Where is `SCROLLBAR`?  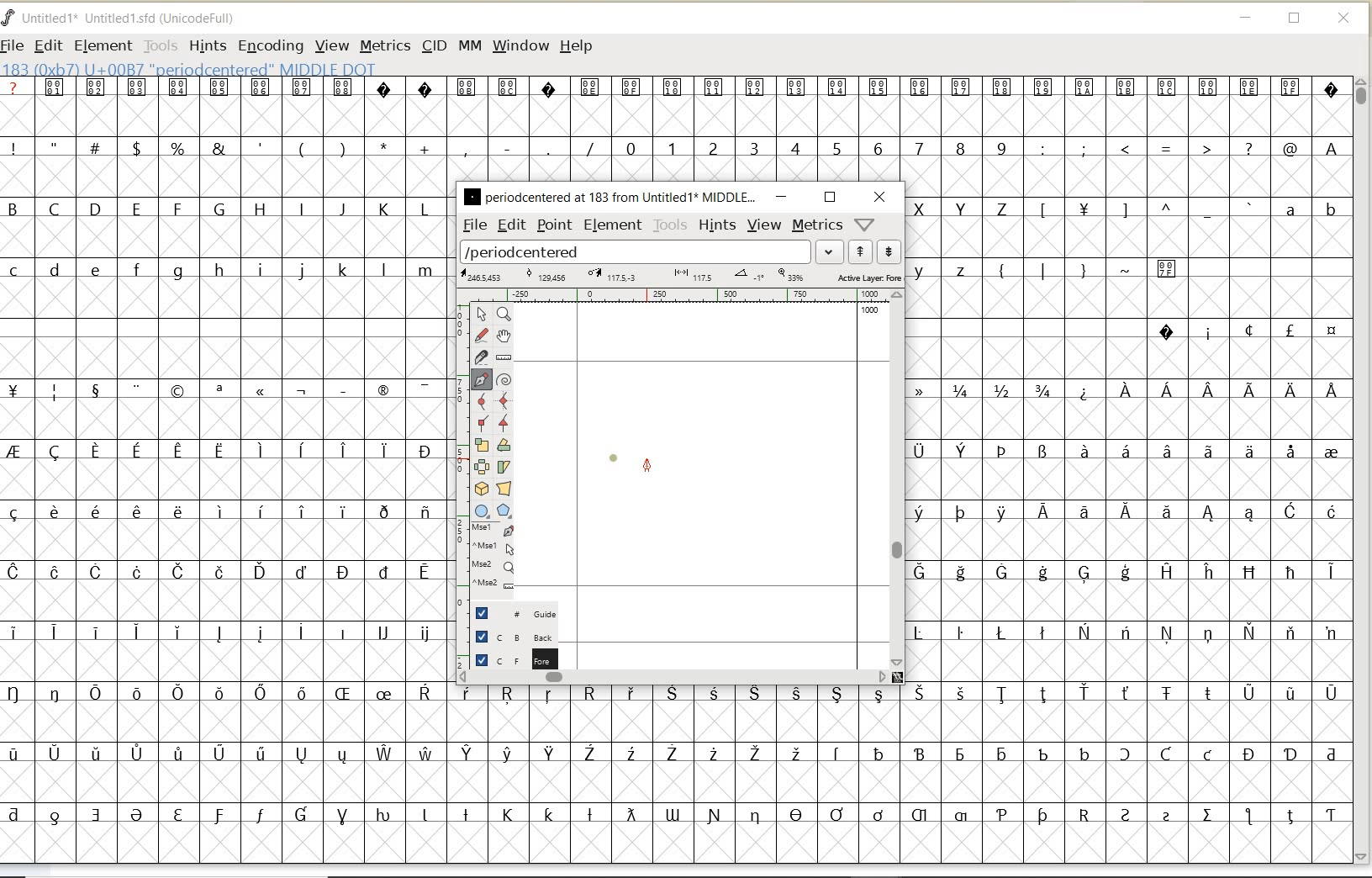
SCROLLBAR is located at coordinates (1364, 470).